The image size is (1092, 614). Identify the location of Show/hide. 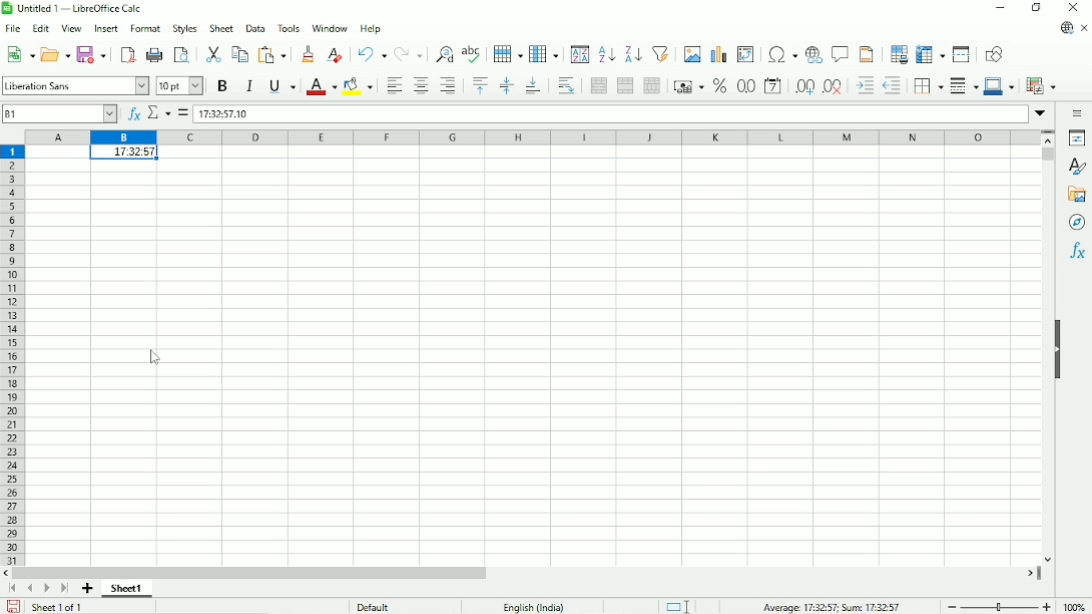
(1059, 348).